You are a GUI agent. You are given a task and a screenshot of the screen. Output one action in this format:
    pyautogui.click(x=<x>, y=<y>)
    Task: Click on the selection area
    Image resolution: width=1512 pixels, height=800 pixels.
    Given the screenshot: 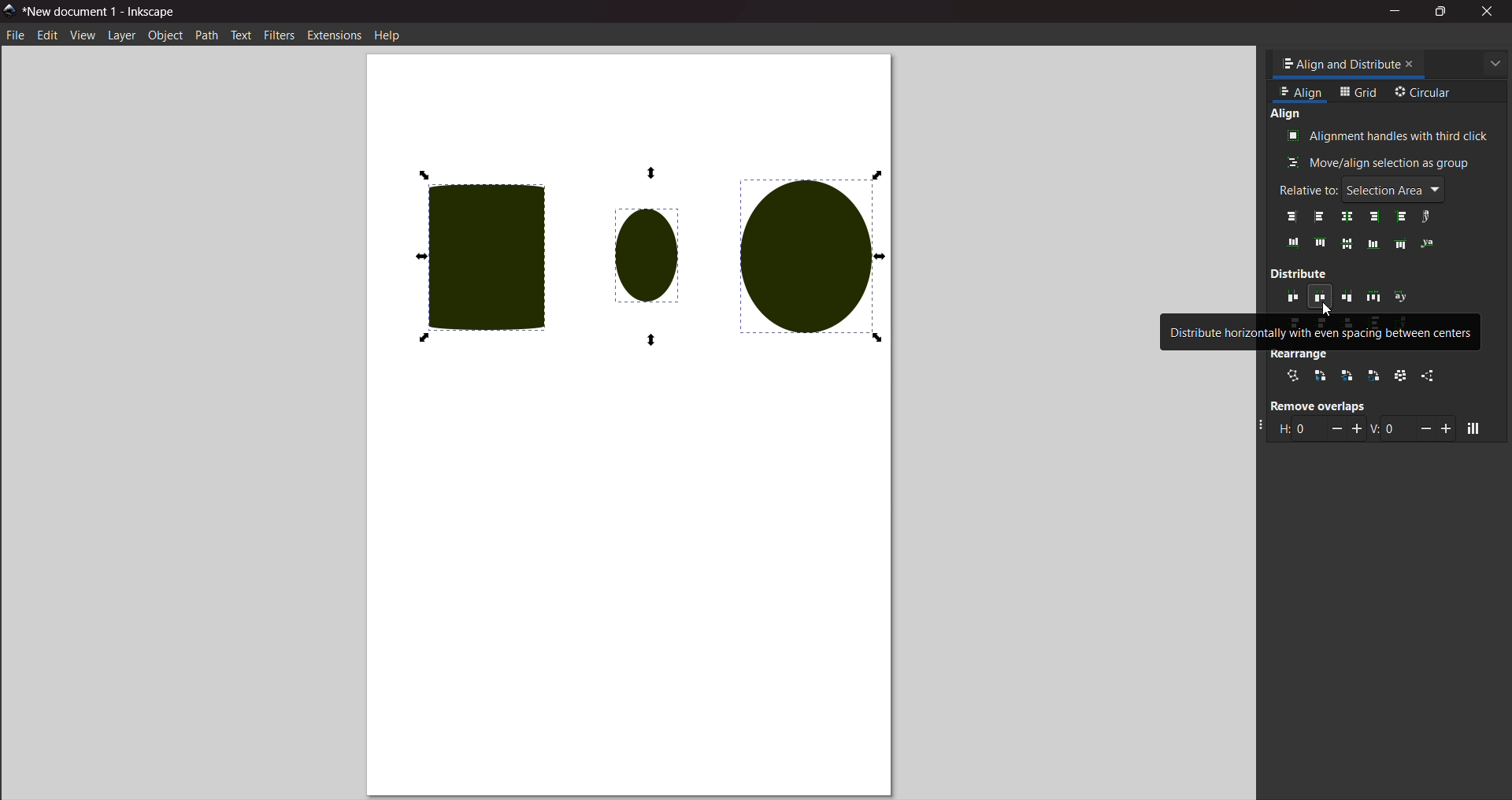 What is the action you would take?
    pyautogui.click(x=1397, y=188)
    